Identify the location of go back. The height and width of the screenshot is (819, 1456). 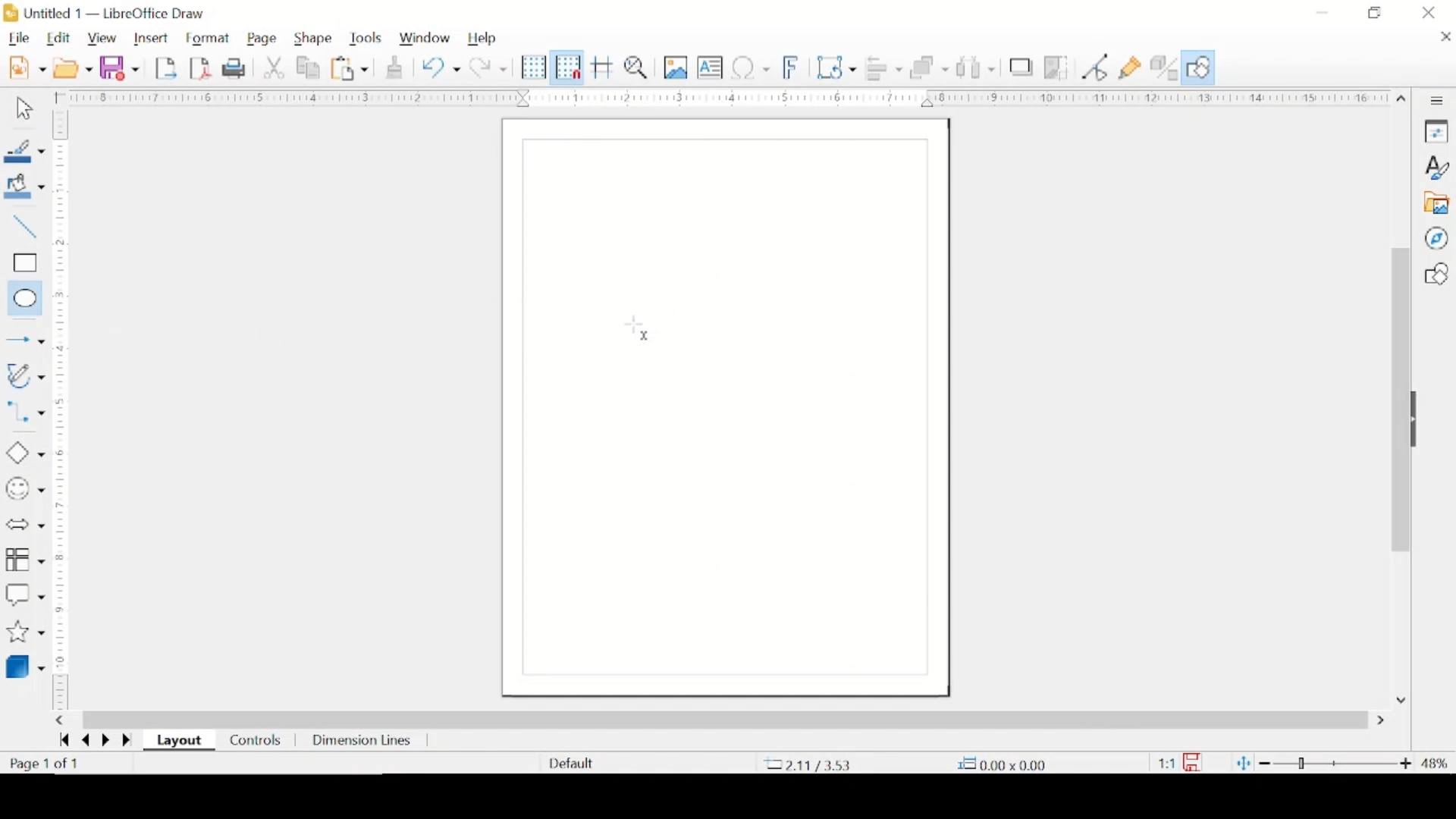
(82, 742).